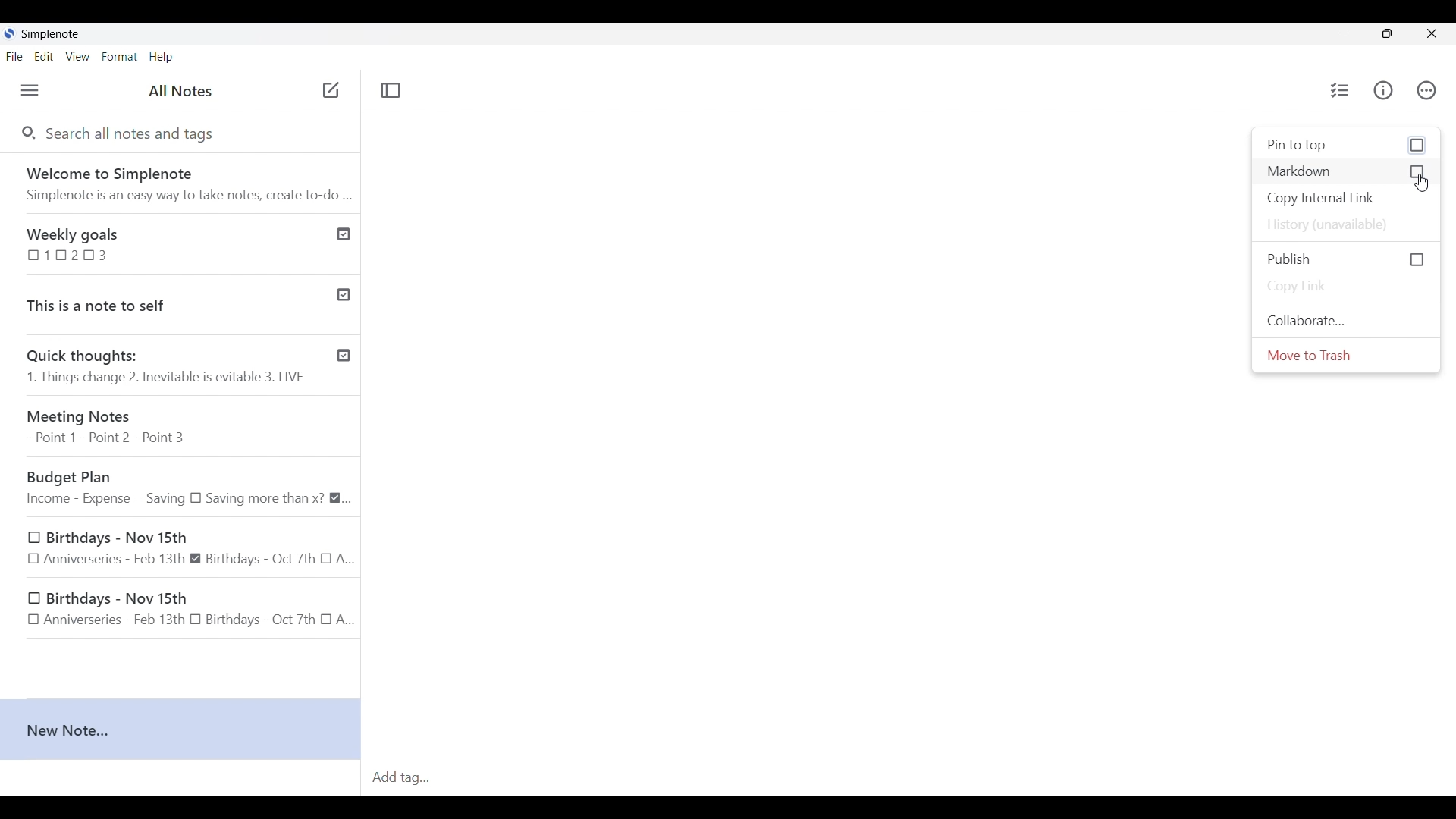 The height and width of the screenshot is (819, 1456). What do you see at coordinates (1345, 171) in the screenshot?
I see `Click to Markdown` at bounding box center [1345, 171].